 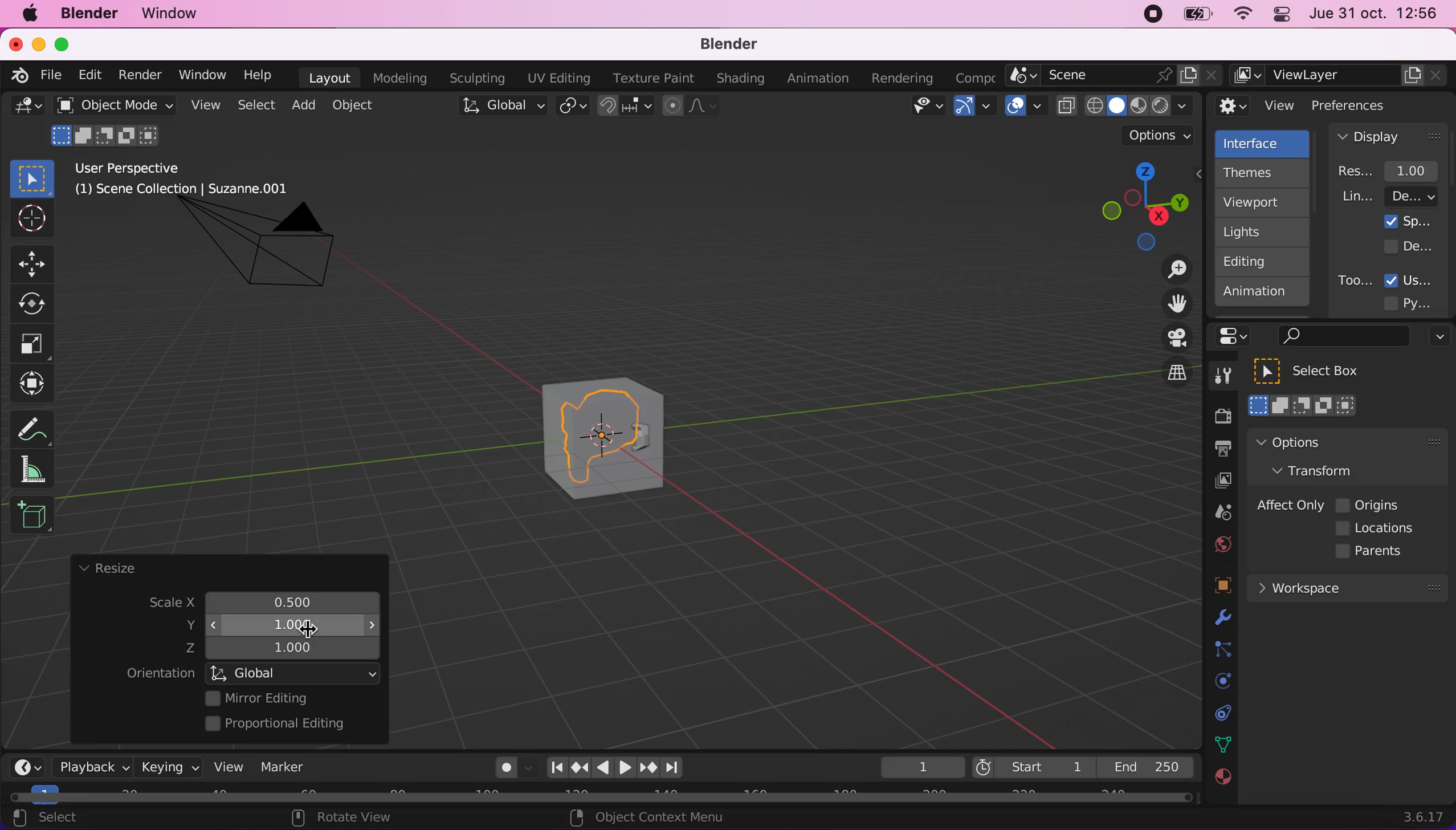 What do you see at coordinates (601, 798) in the screenshot?
I see `horizontal scroll bar` at bounding box center [601, 798].